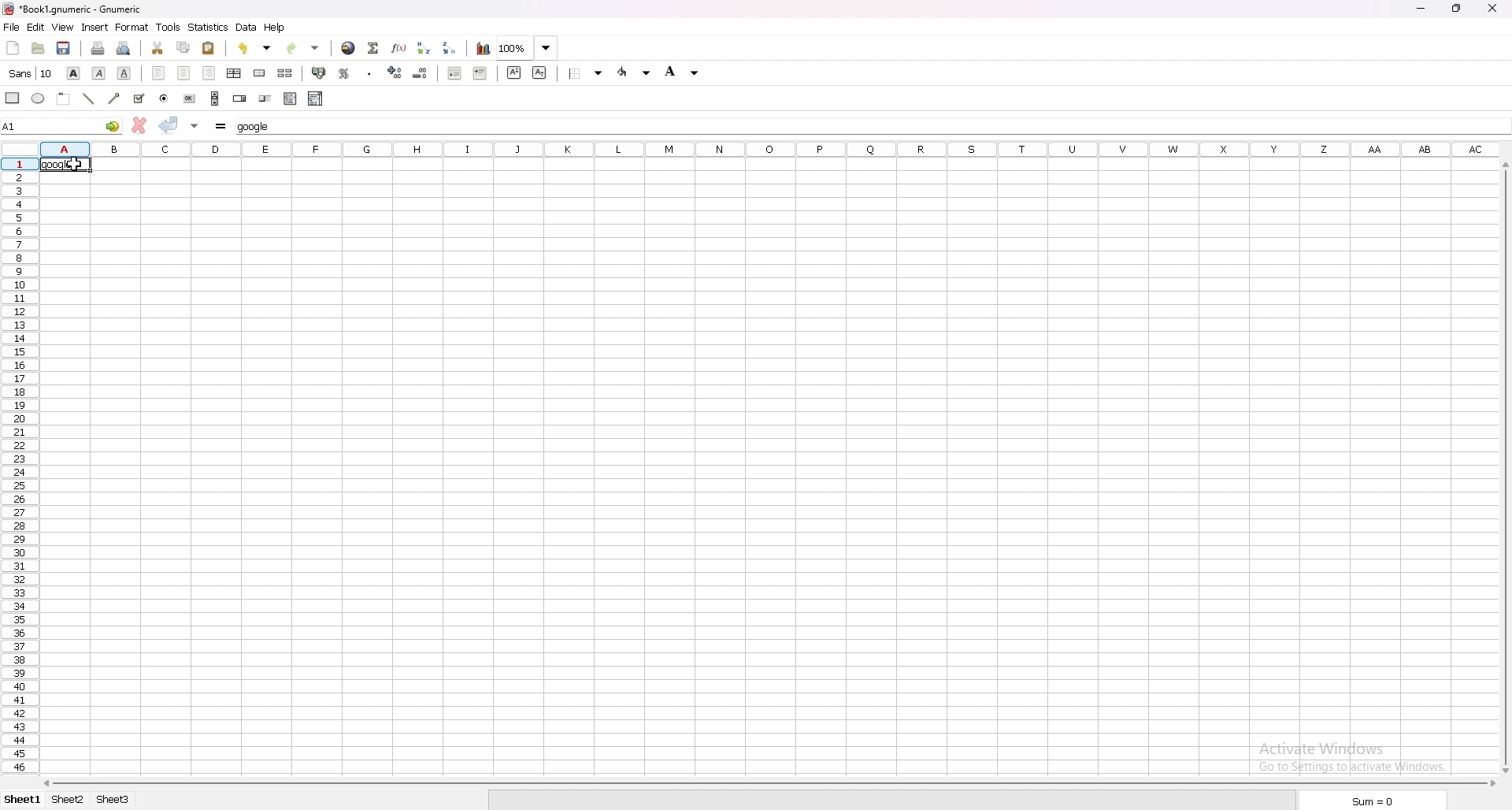  Describe the element at coordinates (1377, 801) in the screenshot. I see `Sum = 0` at that location.